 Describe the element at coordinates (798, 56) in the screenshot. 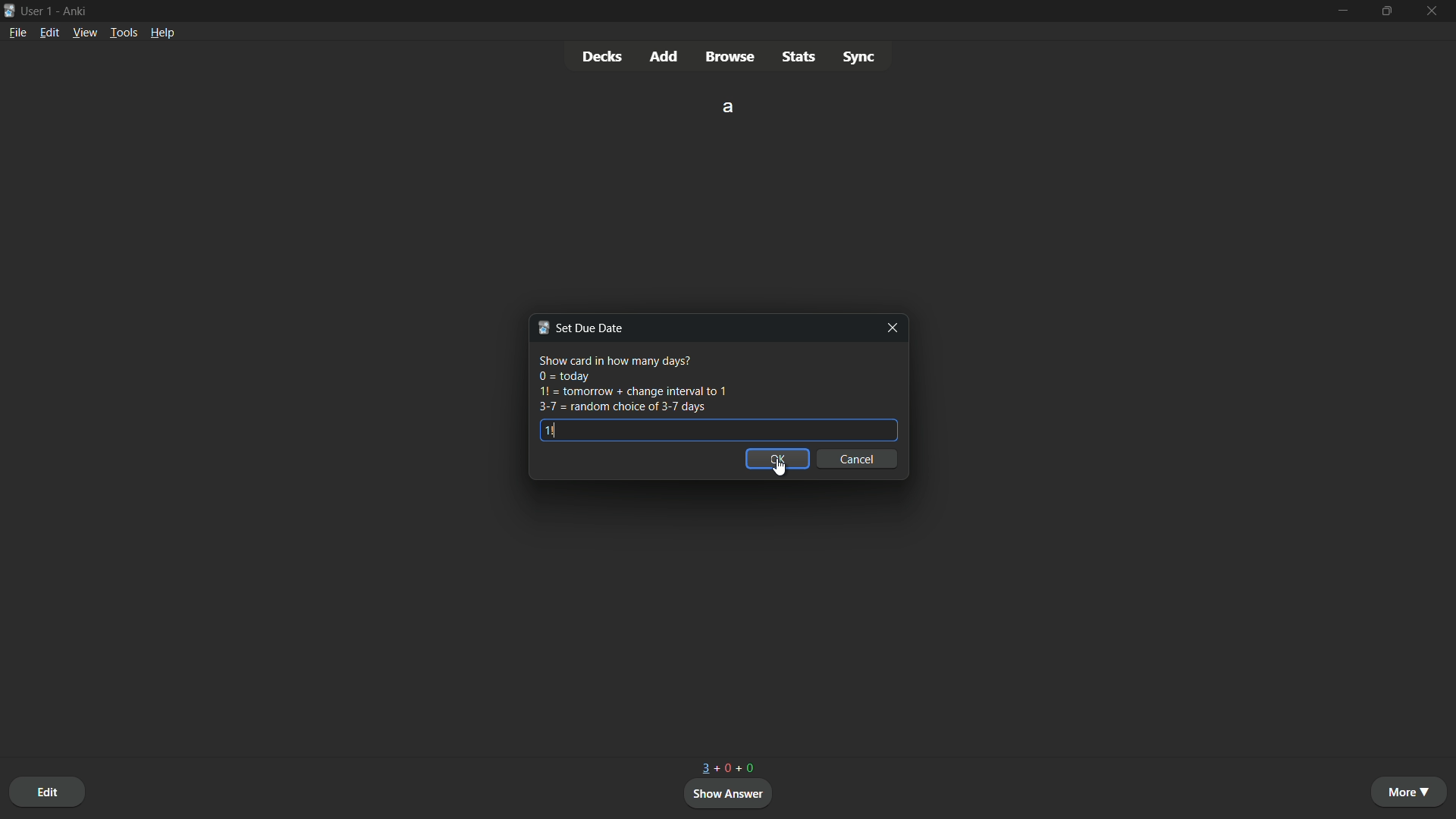

I see `stats` at that location.